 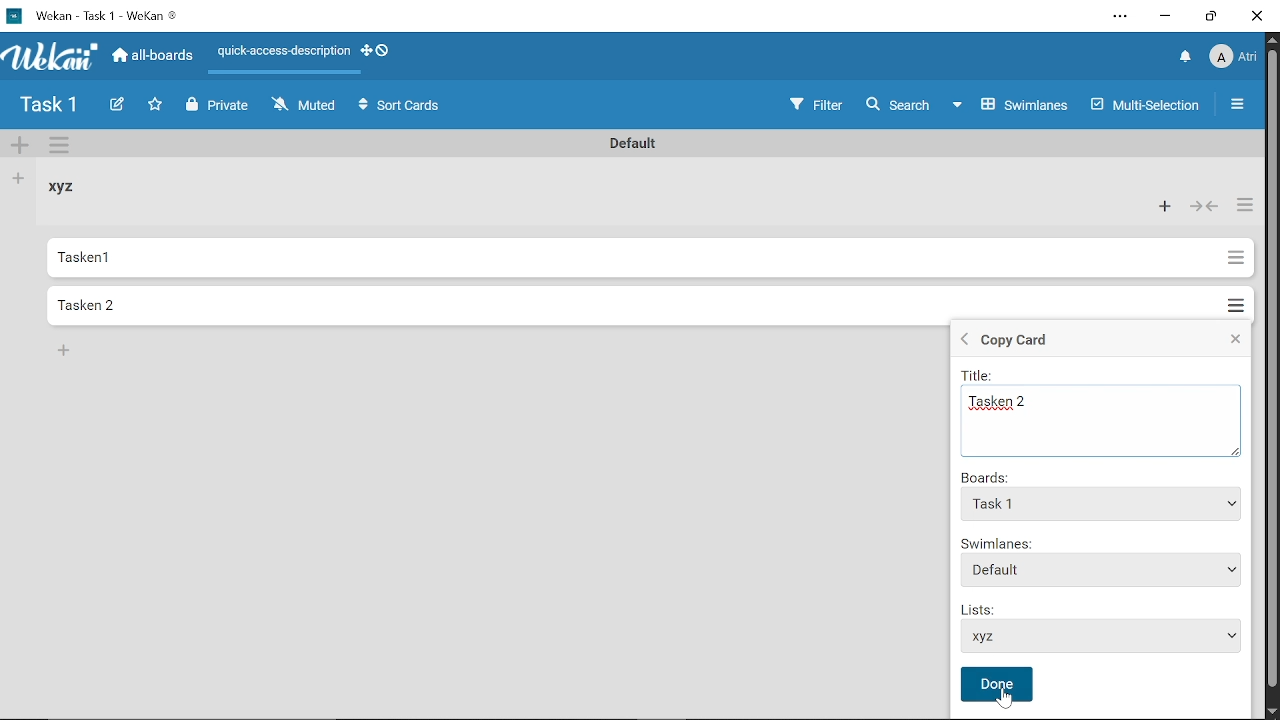 What do you see at coordinates (66, 352) in the screenshot?
I see `Add card to the bottom of the list` at bounding box center [66, 352].